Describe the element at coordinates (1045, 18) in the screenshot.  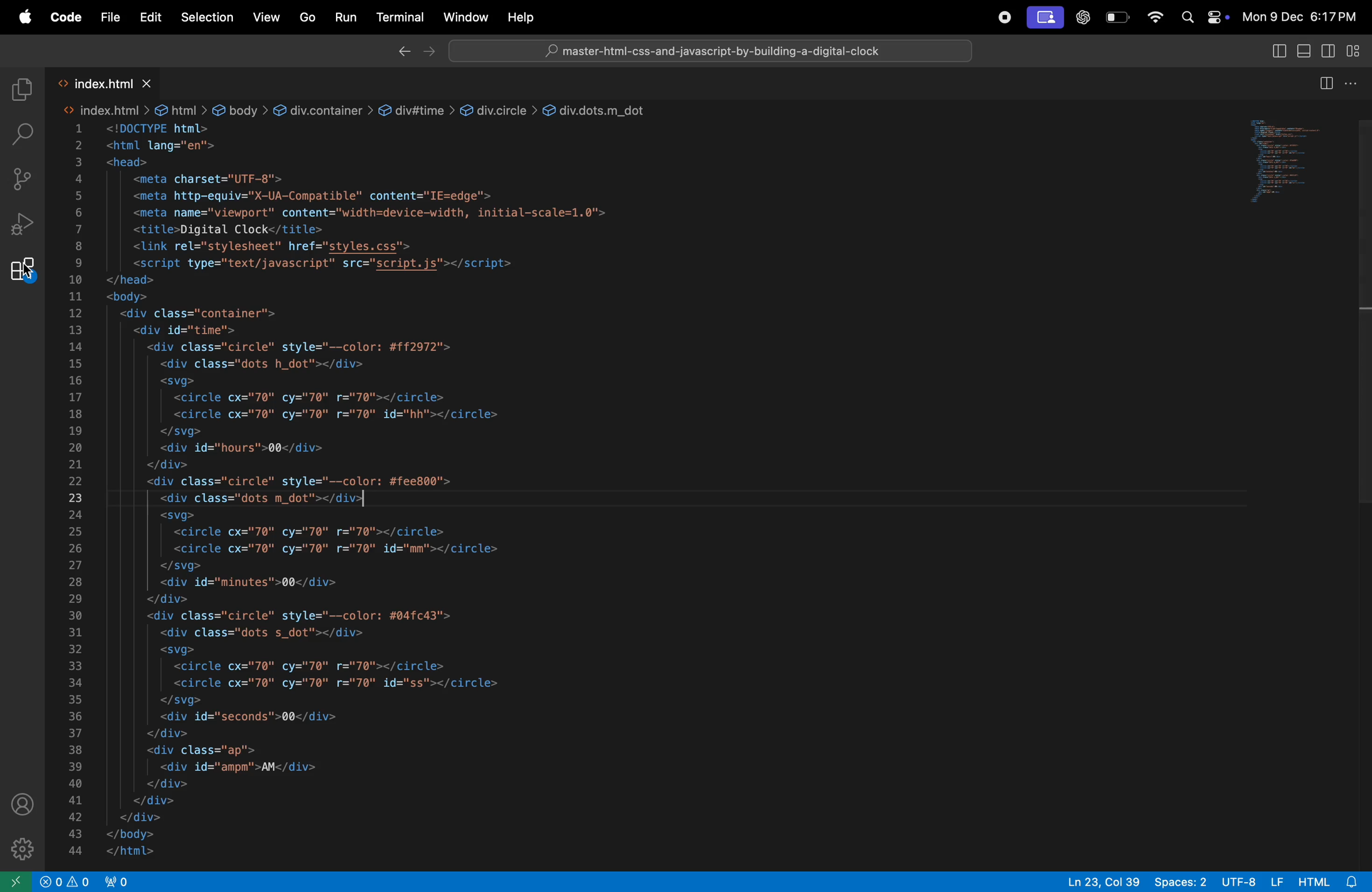
I see `screen ui` at that location.